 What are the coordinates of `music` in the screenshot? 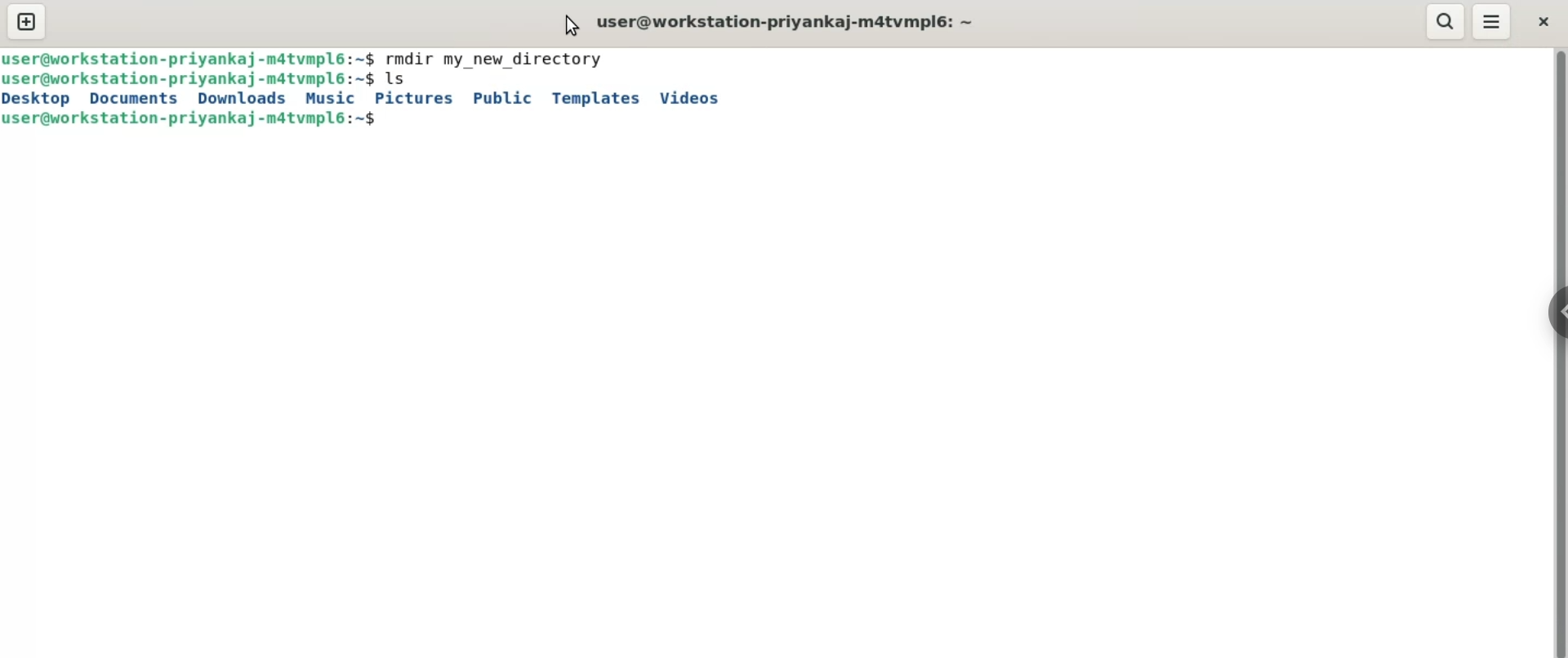 It's located at (328, 97).